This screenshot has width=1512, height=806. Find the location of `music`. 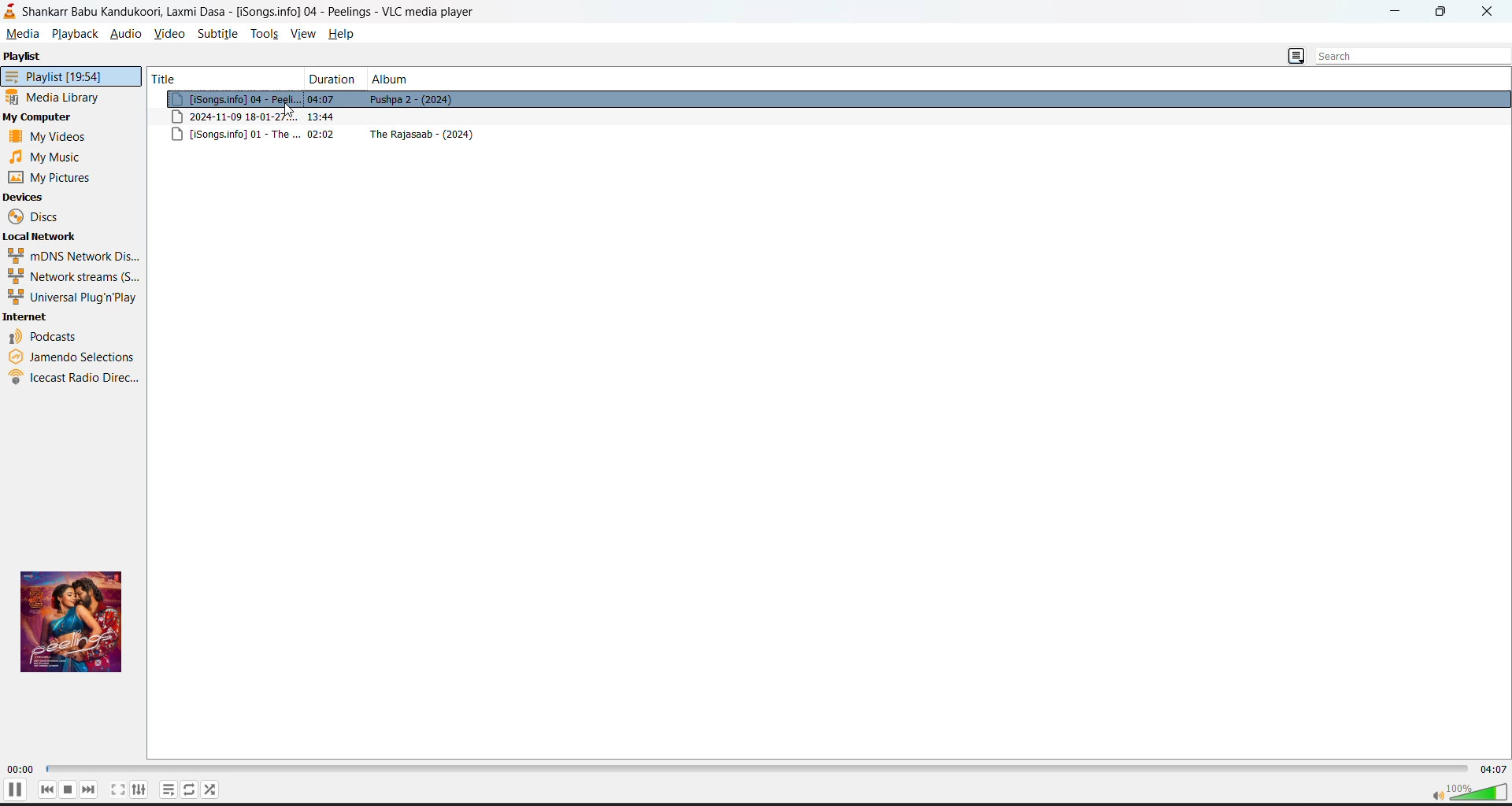

music is located at coordinates (43, 157).